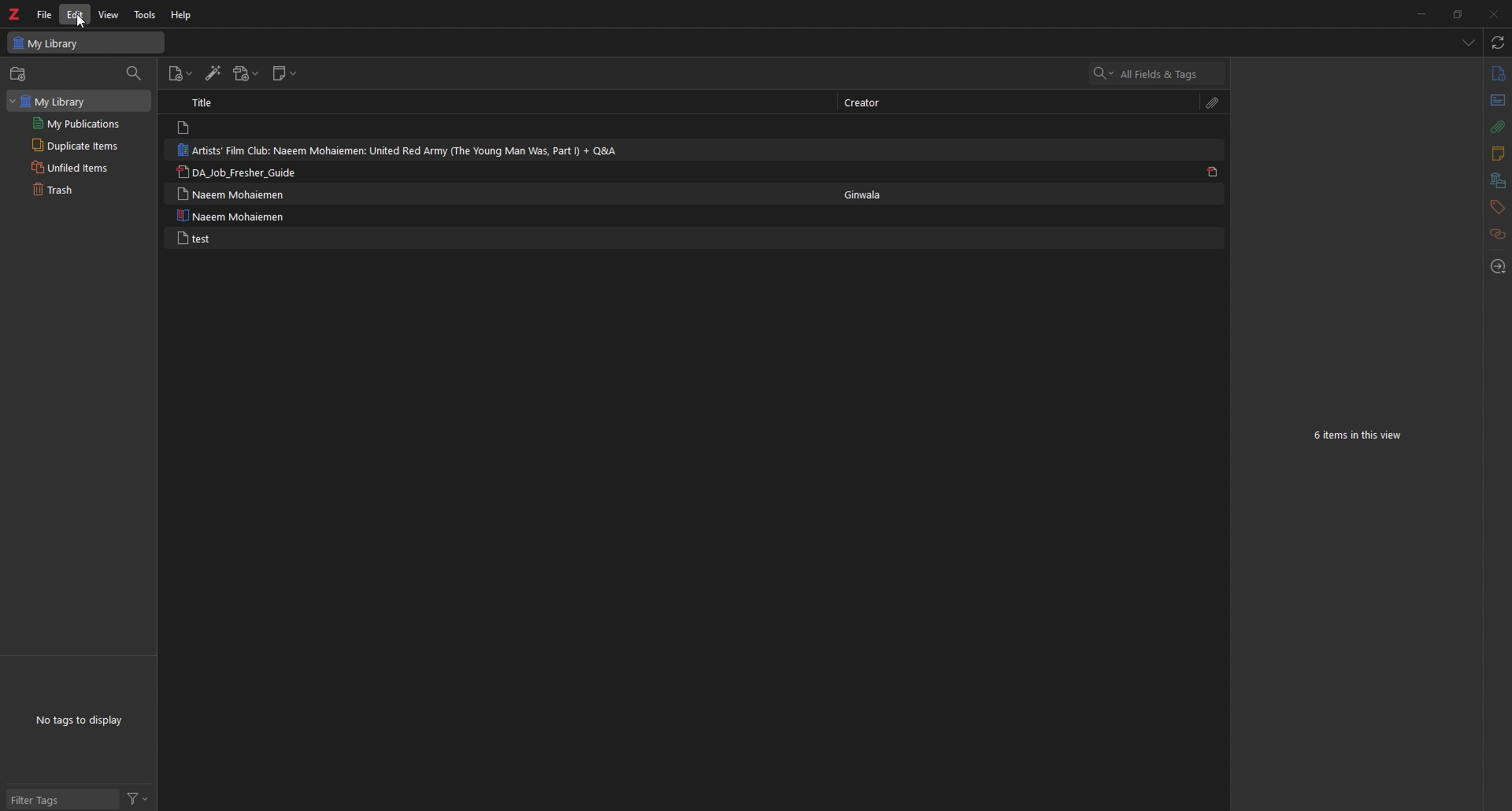 The image size is (1512, 811). What do you see at coordinates (1497, 154) in the screenshot?
I see `notes` at bounding box center [1497, 154].